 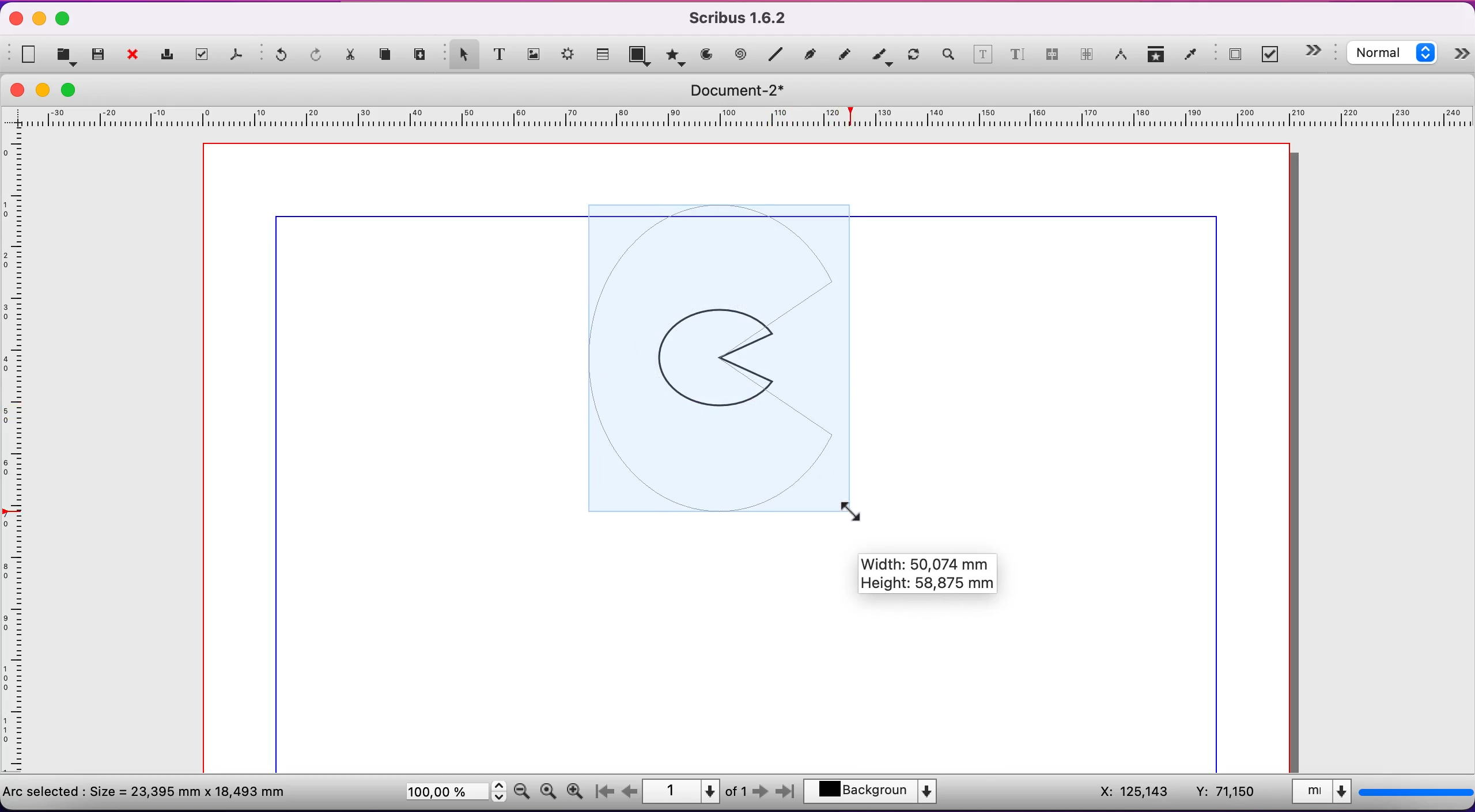 What do you see at coordinates (608, 792) in the screenshot?
I see `go to the first page` at bounding box center [608, 792].